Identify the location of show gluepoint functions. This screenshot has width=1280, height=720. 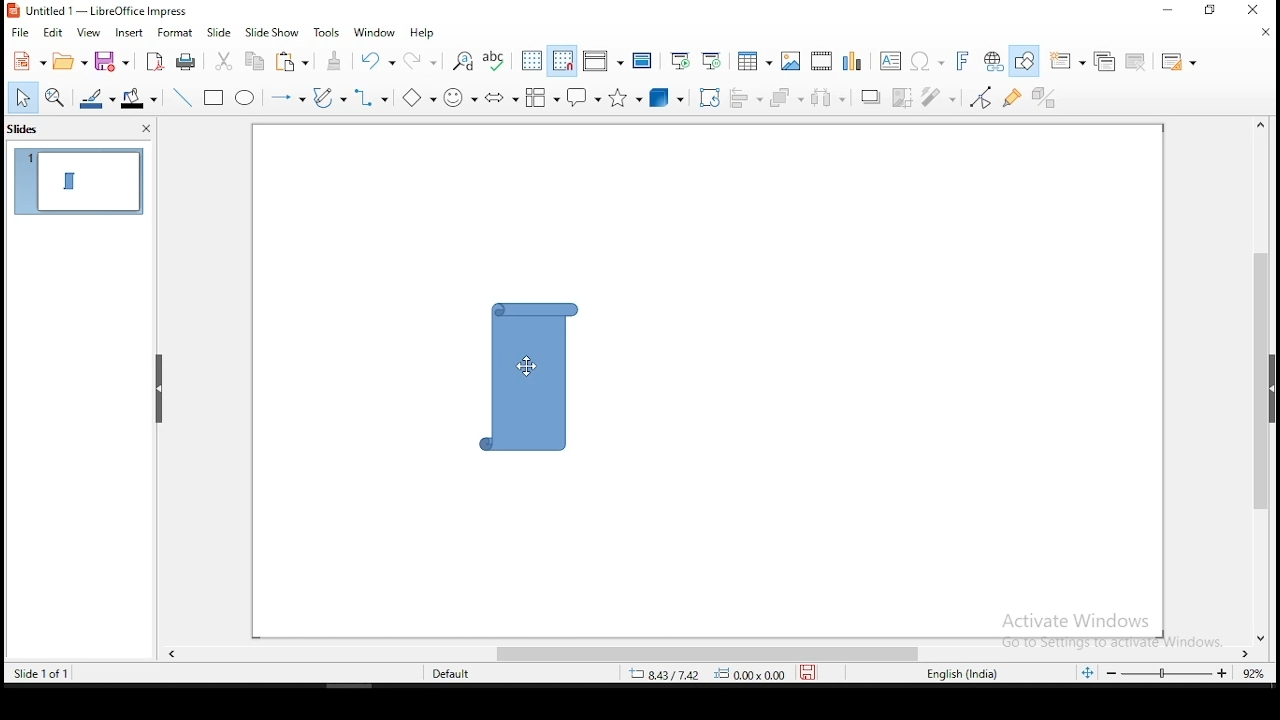
(1013, 96).